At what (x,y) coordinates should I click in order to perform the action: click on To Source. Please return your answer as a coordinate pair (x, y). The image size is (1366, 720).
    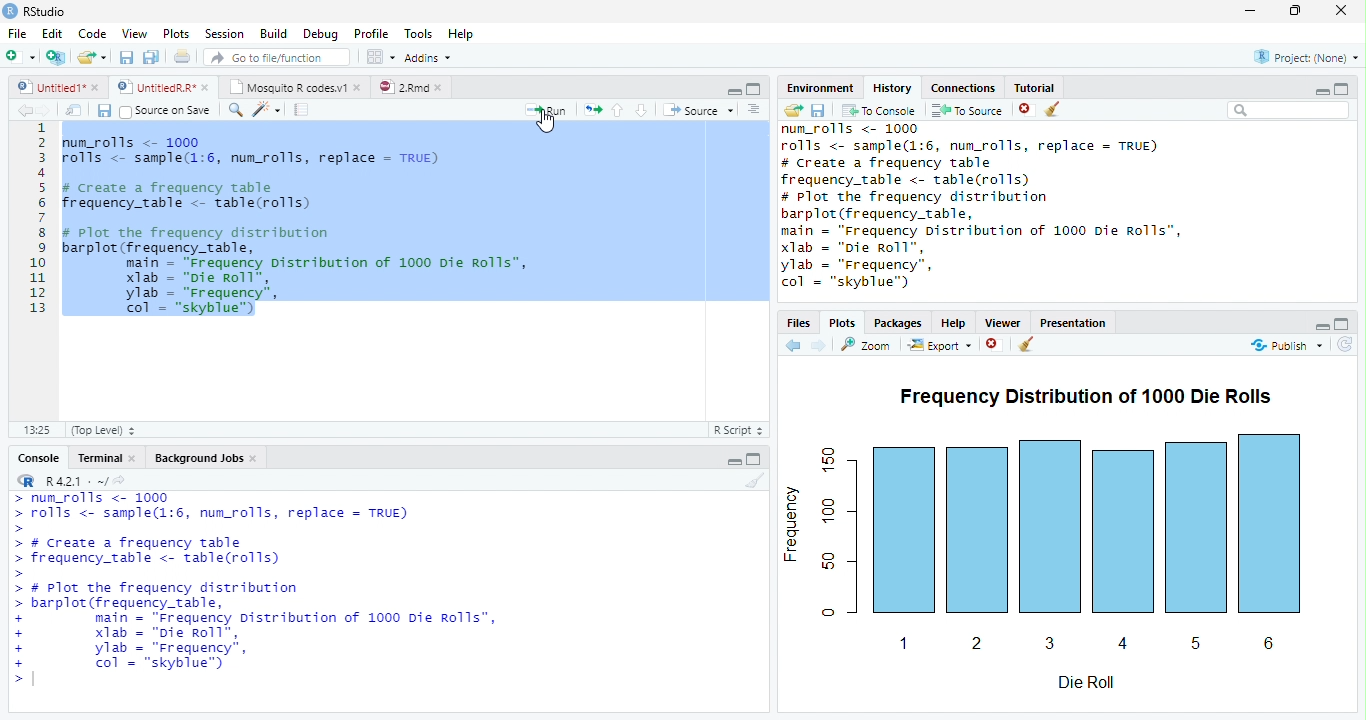
    Looking at the image, I should click on (967, 110).